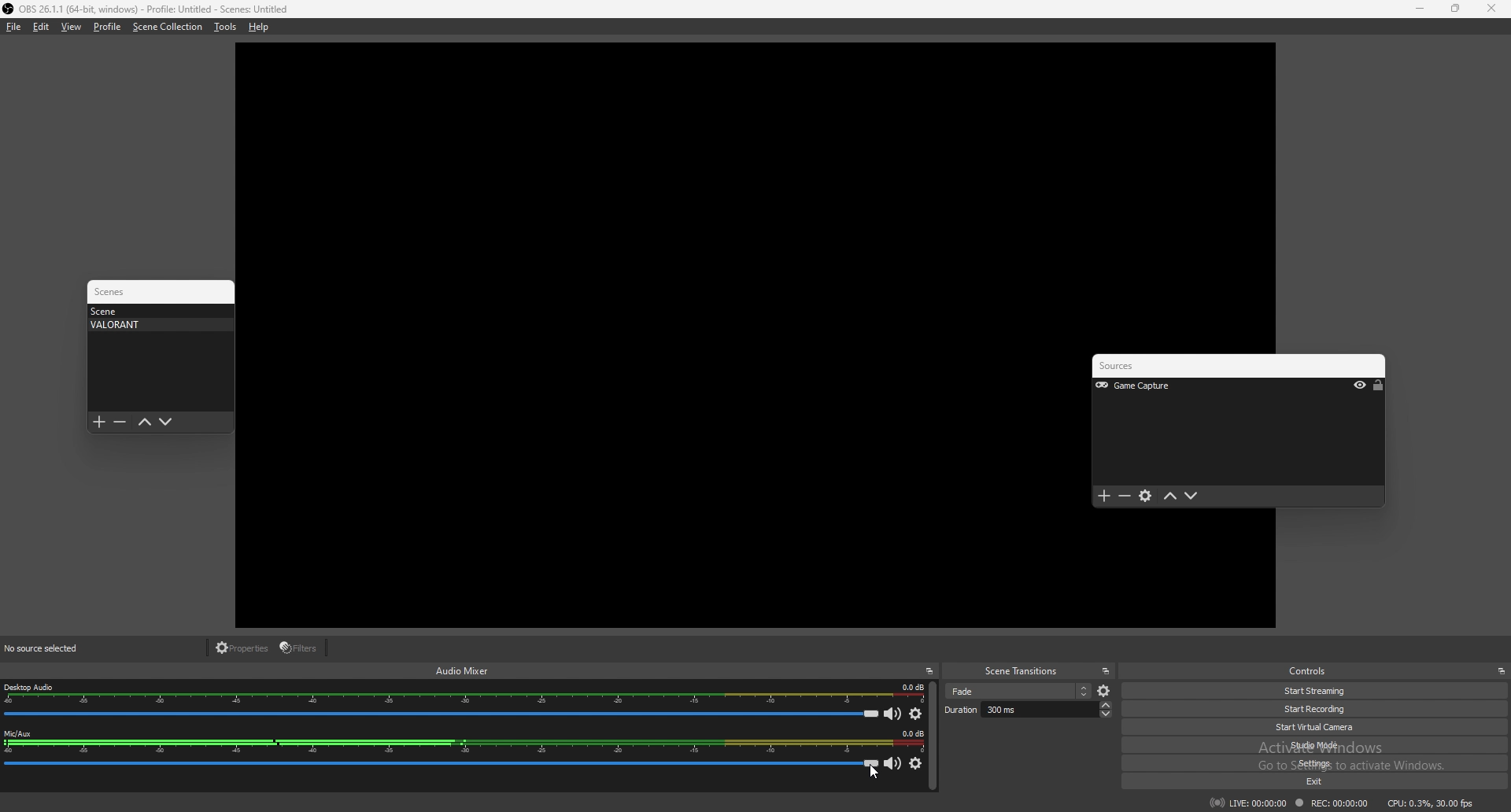 The image size is (1511, 812). Describe the element at coordinates (893, 713) in the screenshot. I see `mute desktop audio` at that location.